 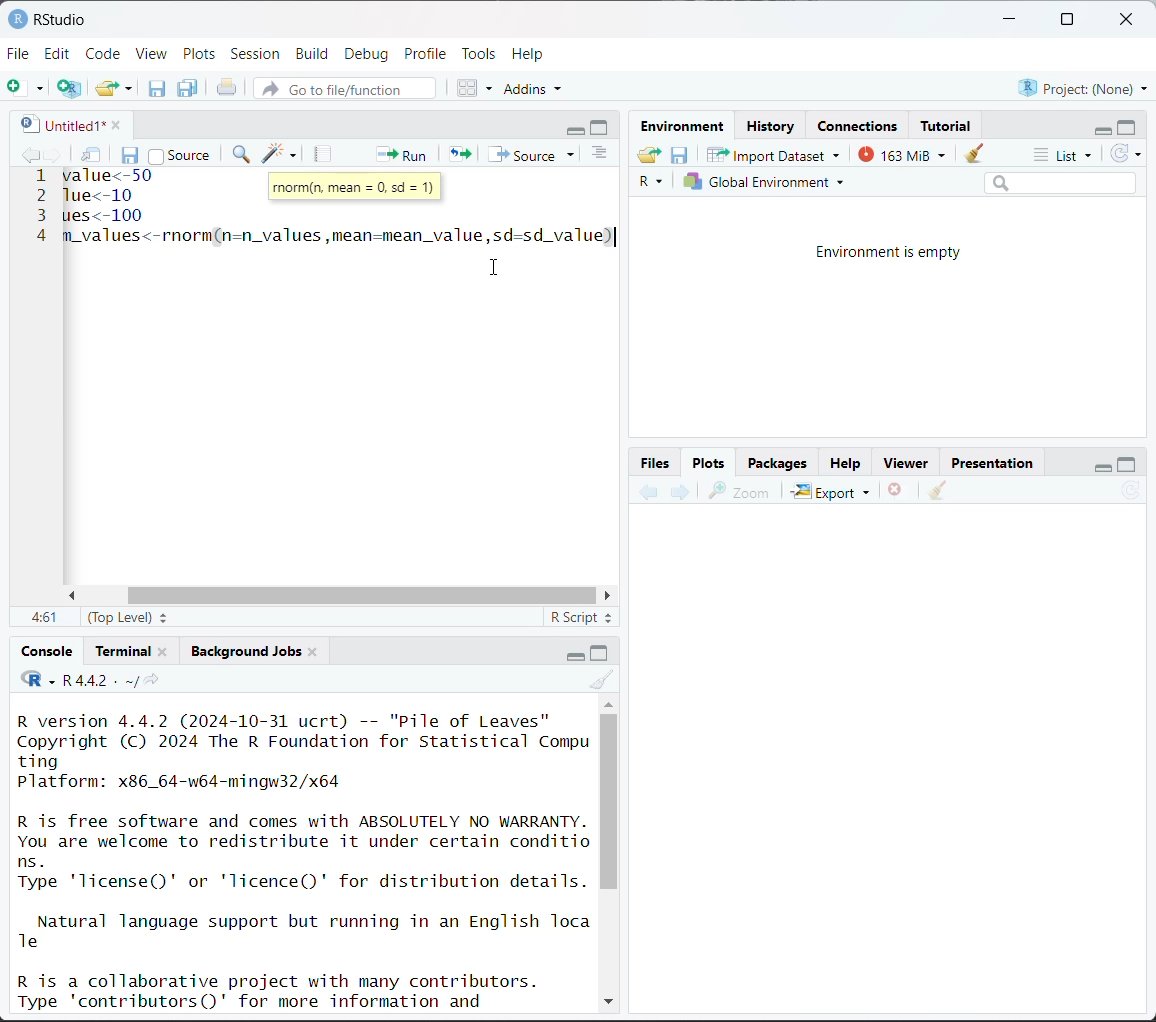 I want to click on untitled1, so click(x=58, y=124).